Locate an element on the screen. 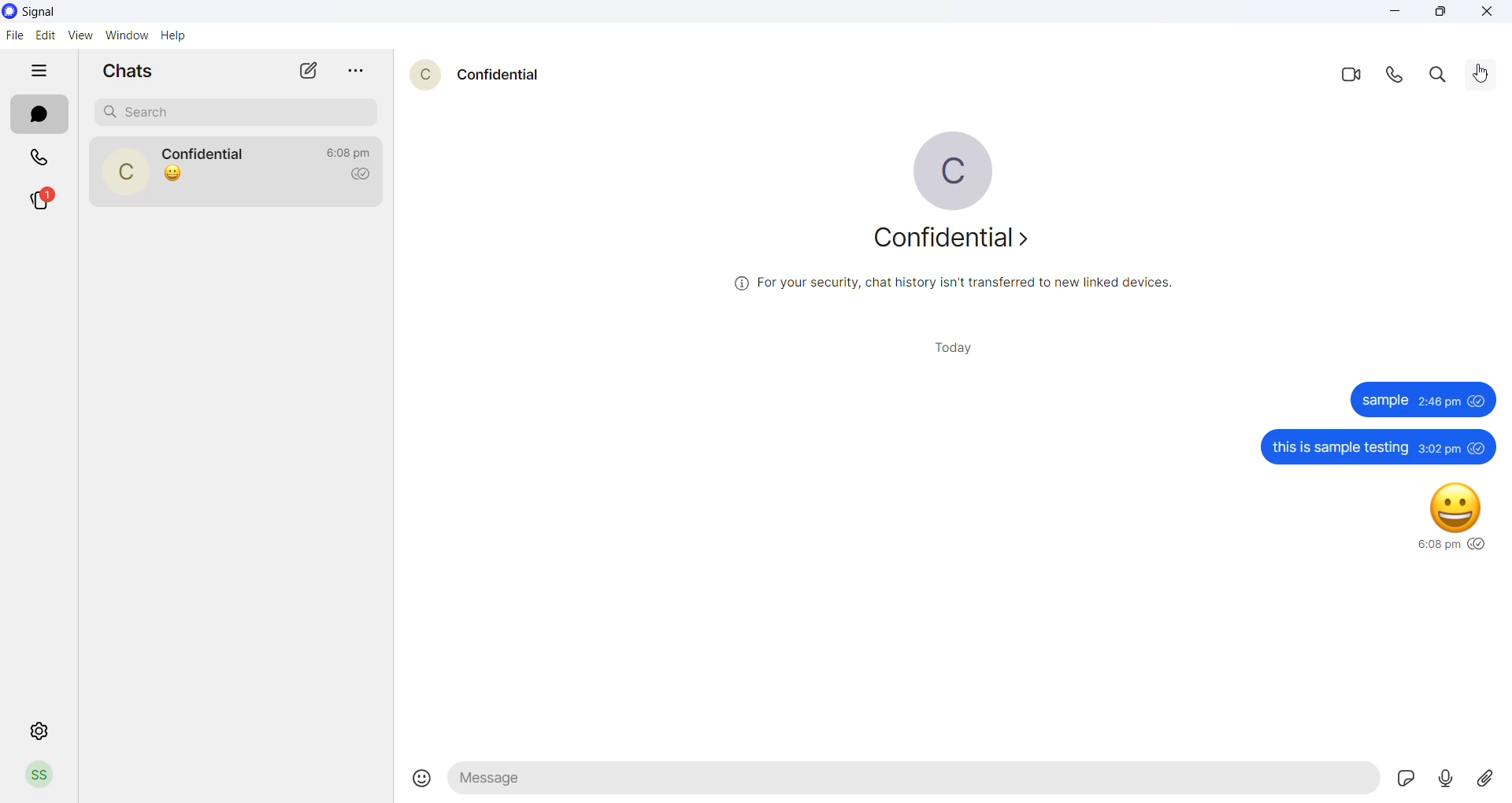 The height and width of the screenshot is (803, 1512). seen is located at coordinates (1474, 542).